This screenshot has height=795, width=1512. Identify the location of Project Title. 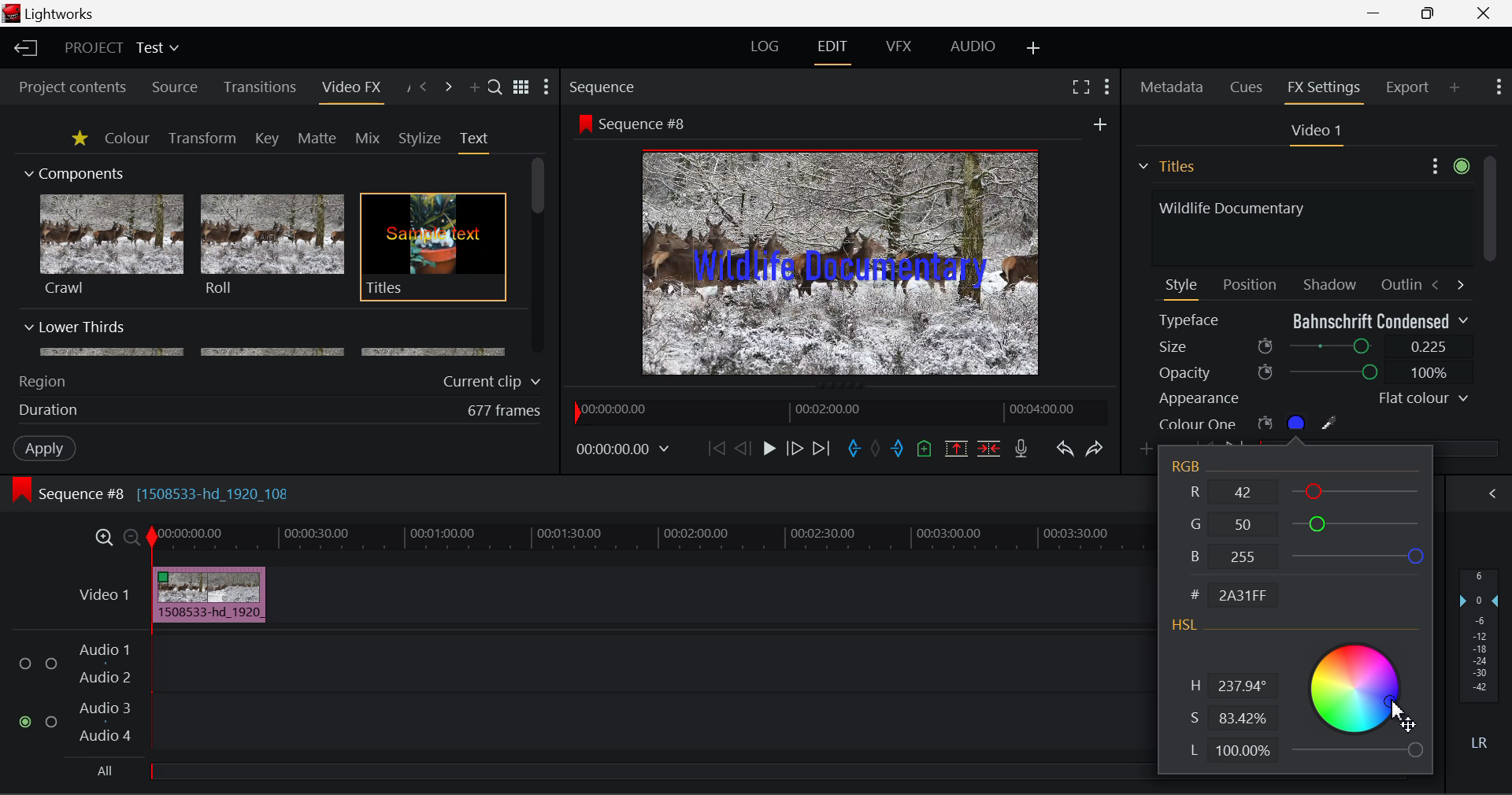
(123, 46).